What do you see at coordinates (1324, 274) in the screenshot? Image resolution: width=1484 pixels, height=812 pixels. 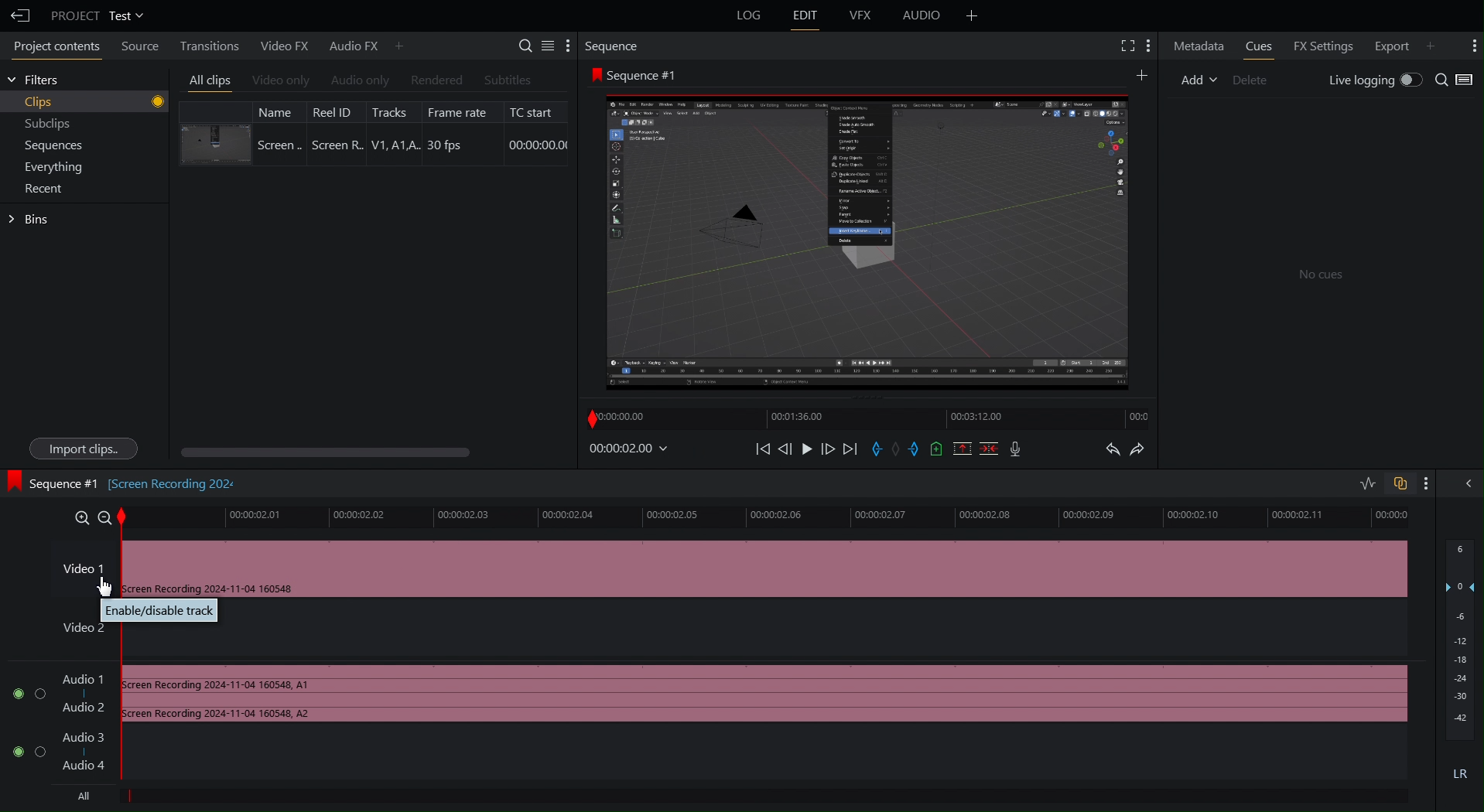 I see `No clues` at bounding box center [1324, 274].